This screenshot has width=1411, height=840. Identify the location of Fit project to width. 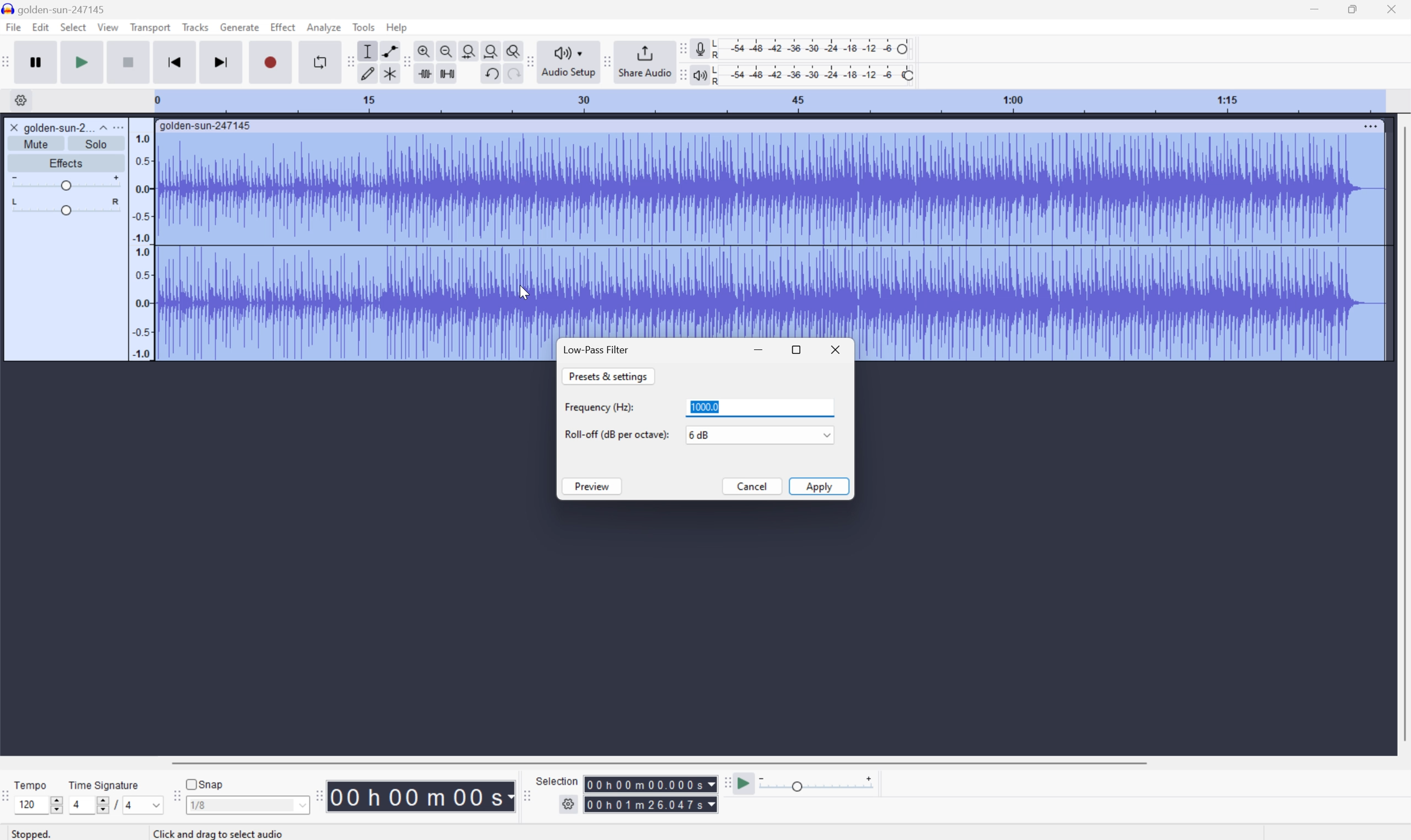
(490, 49).